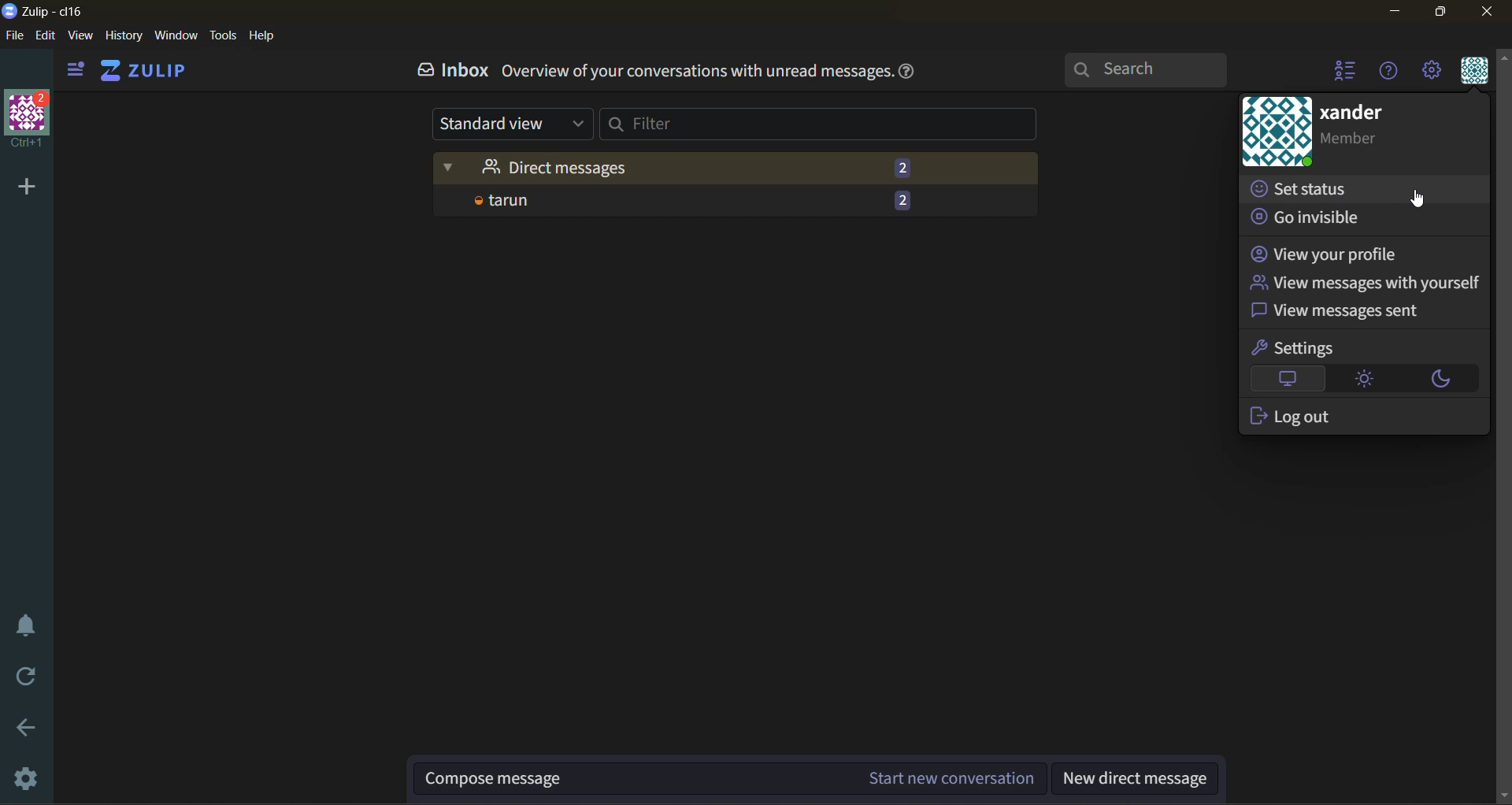 The image size is (1512, 805). What do you see at coordinates (830, 128) in the screenshot?
I see `filter` at bounding box center [830, 128].